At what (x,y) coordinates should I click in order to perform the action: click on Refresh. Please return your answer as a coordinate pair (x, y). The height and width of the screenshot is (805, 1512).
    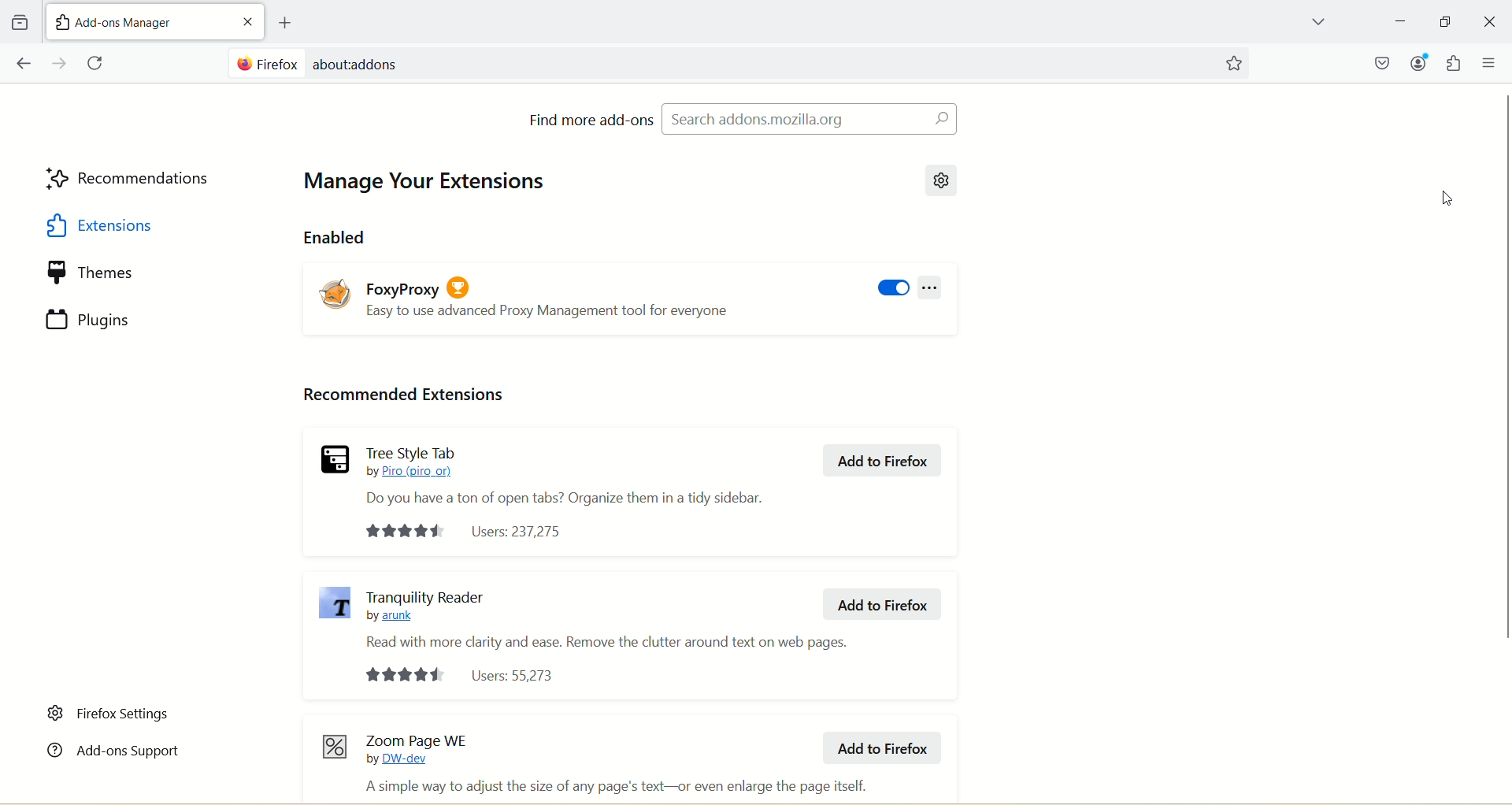
    Looking at the image, I should click on (98, 64).